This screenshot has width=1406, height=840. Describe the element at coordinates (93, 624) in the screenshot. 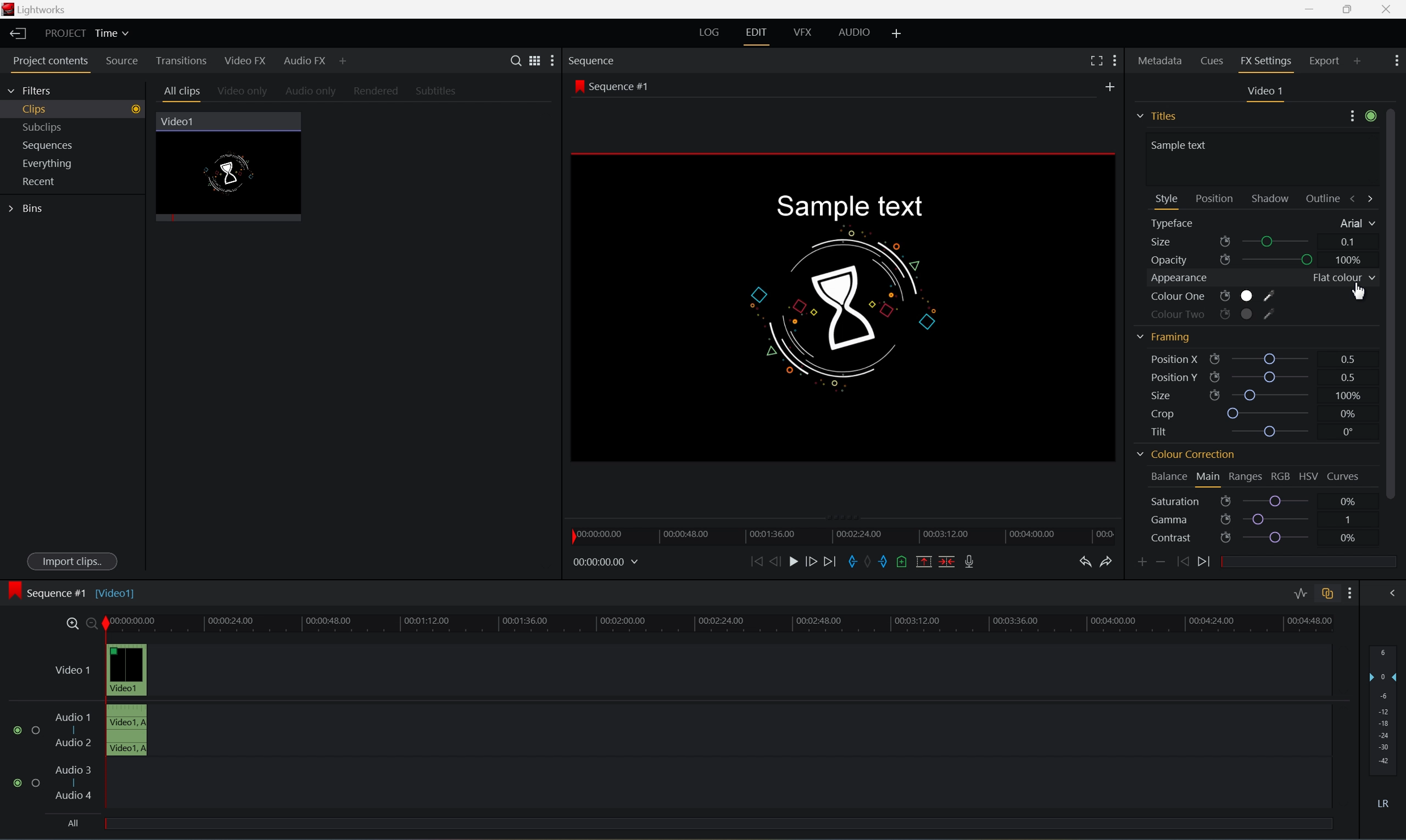

I see `zoom out` at that location.